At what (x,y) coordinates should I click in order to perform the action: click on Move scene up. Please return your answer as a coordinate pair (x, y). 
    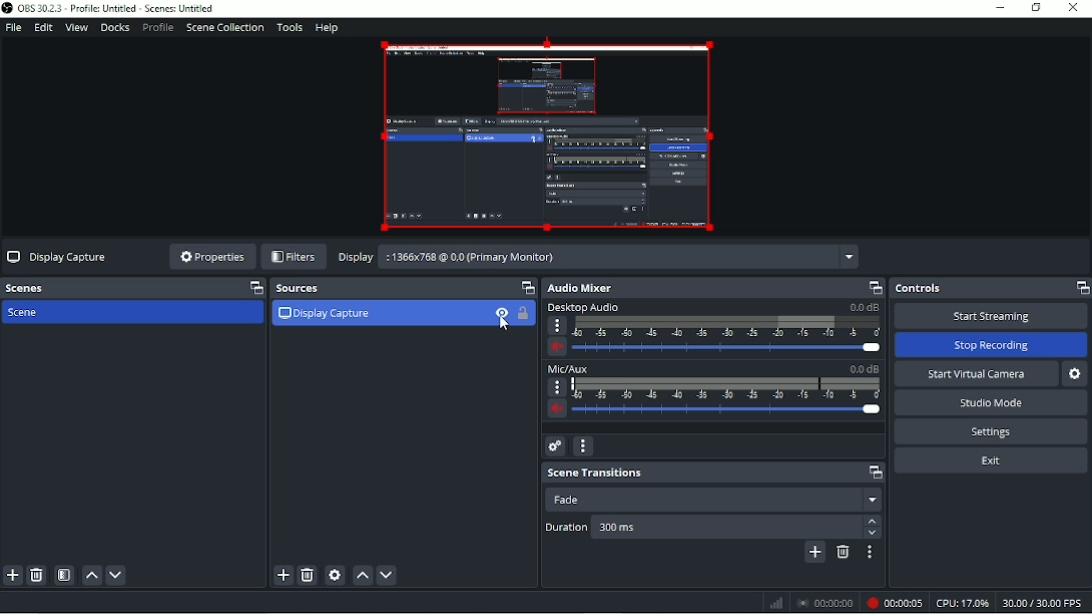
    Looking at the image, I should click on (91, 575).